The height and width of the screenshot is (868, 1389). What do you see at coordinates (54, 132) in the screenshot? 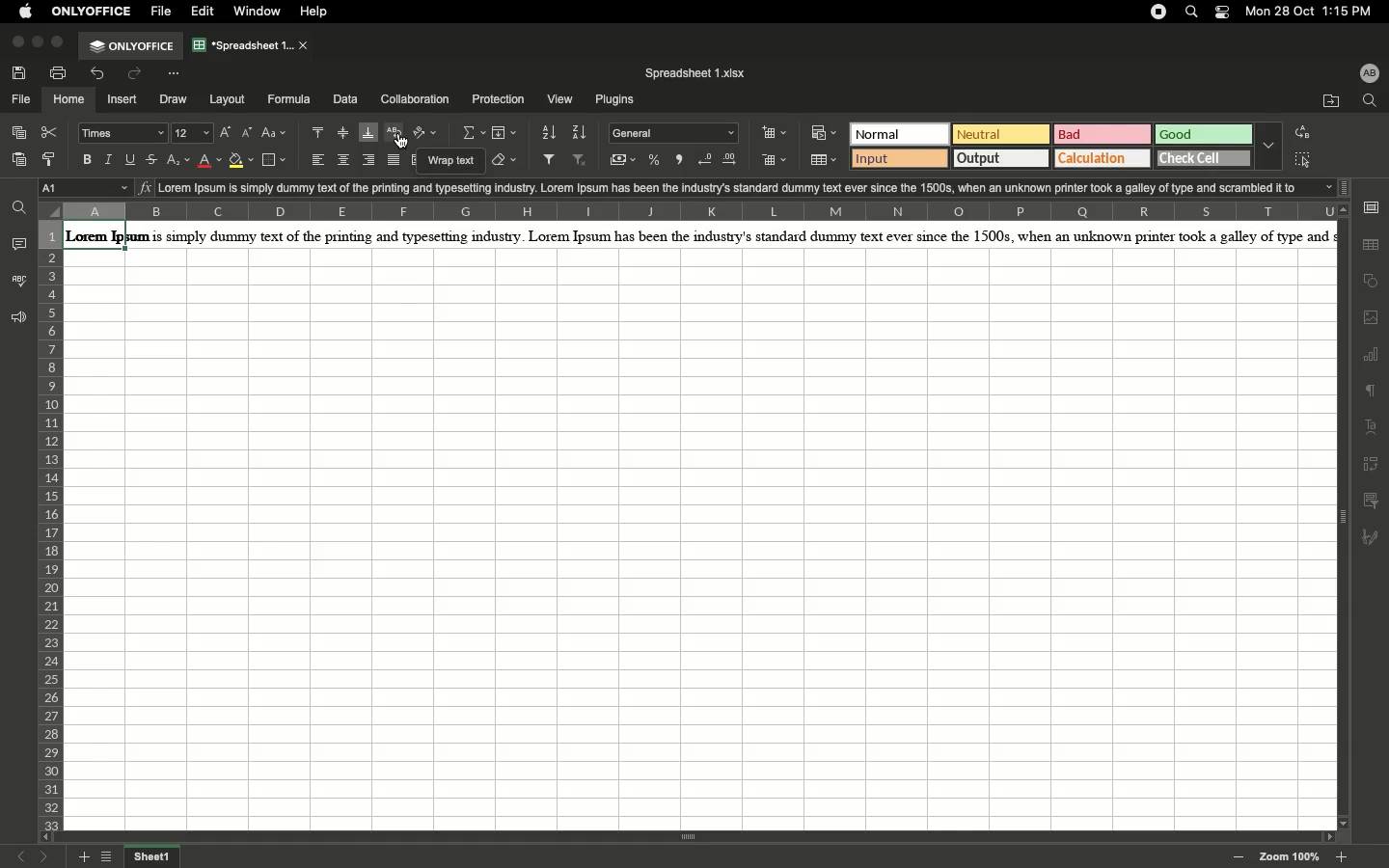
I see `Cut` at bounding box center [54, 132].